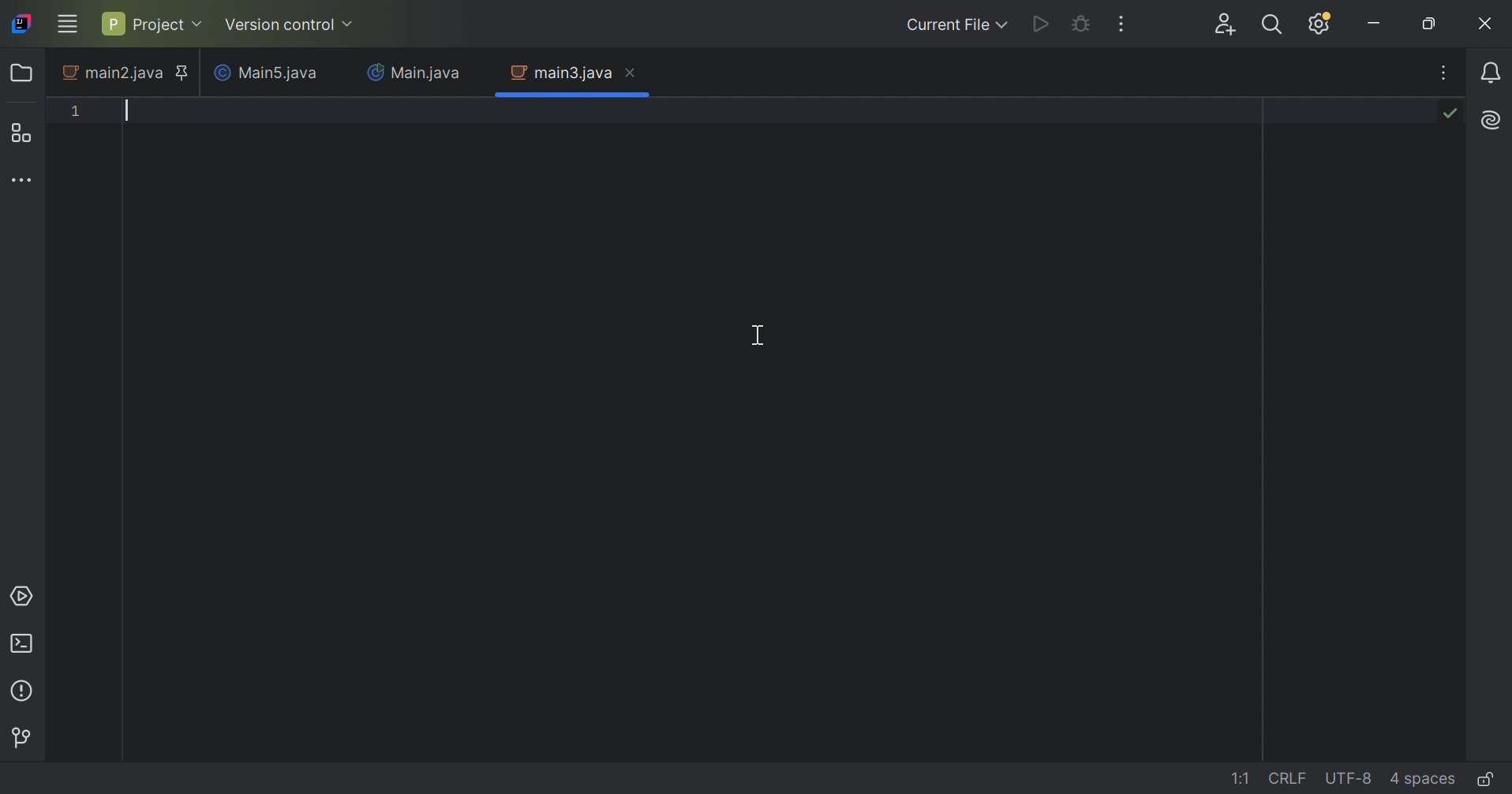 The height and width of the screenshot is (794, 1512). Describe the element at coordinates (152, 24) in the screenshot. I see `Project` at that location.